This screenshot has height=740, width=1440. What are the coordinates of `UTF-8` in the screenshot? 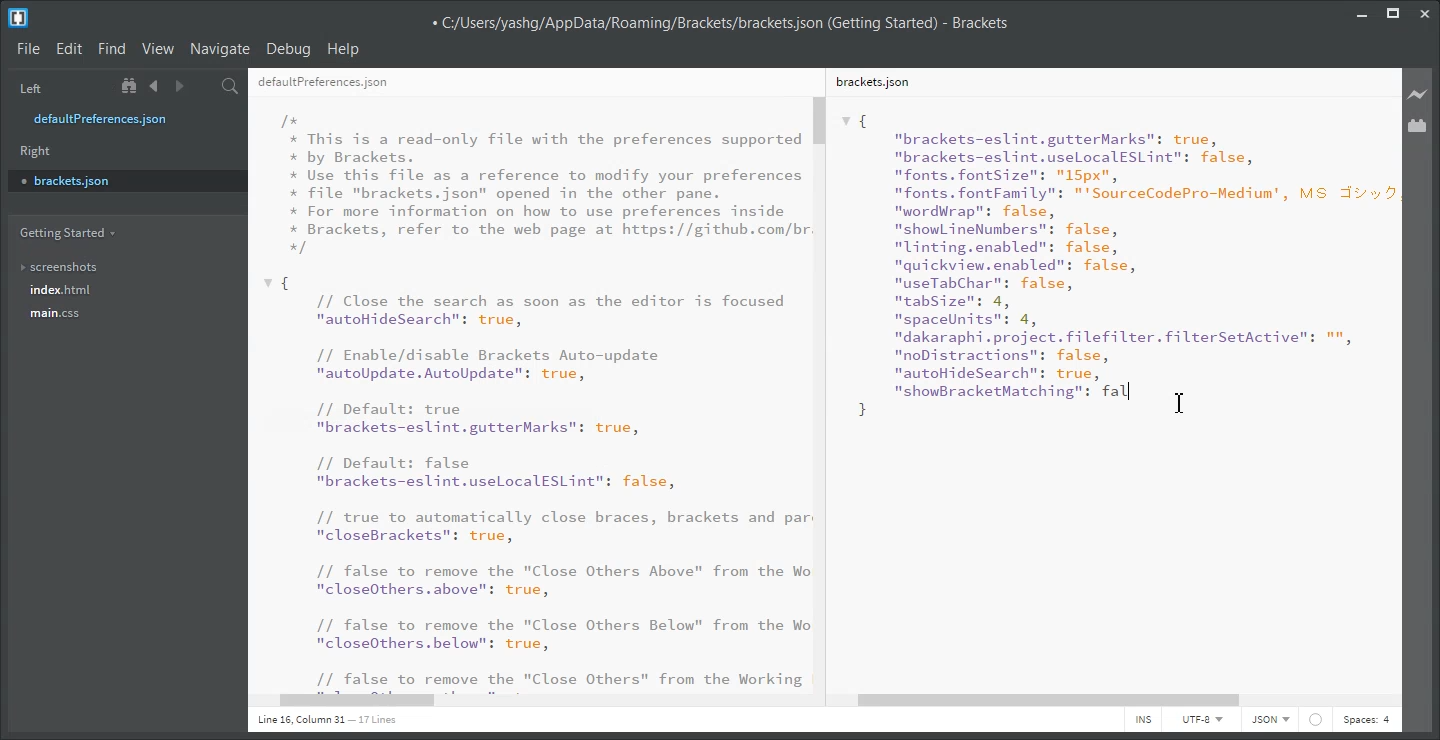 It's located at (1201, 719).